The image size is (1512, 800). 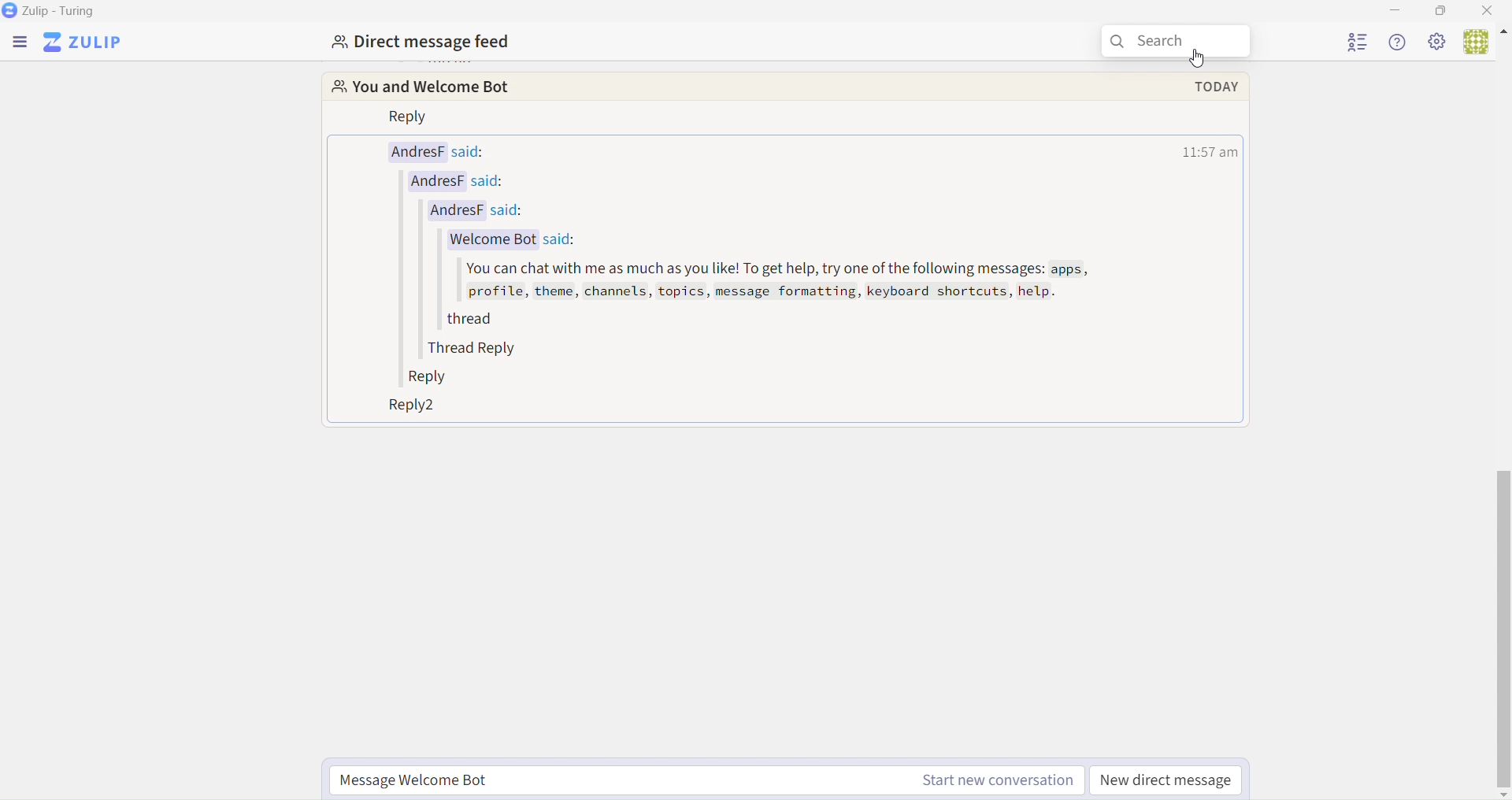 What do you see at coordinates (1168, 780) in the screenshot?
I see `New direct message` at bounding box center [1168, 780].